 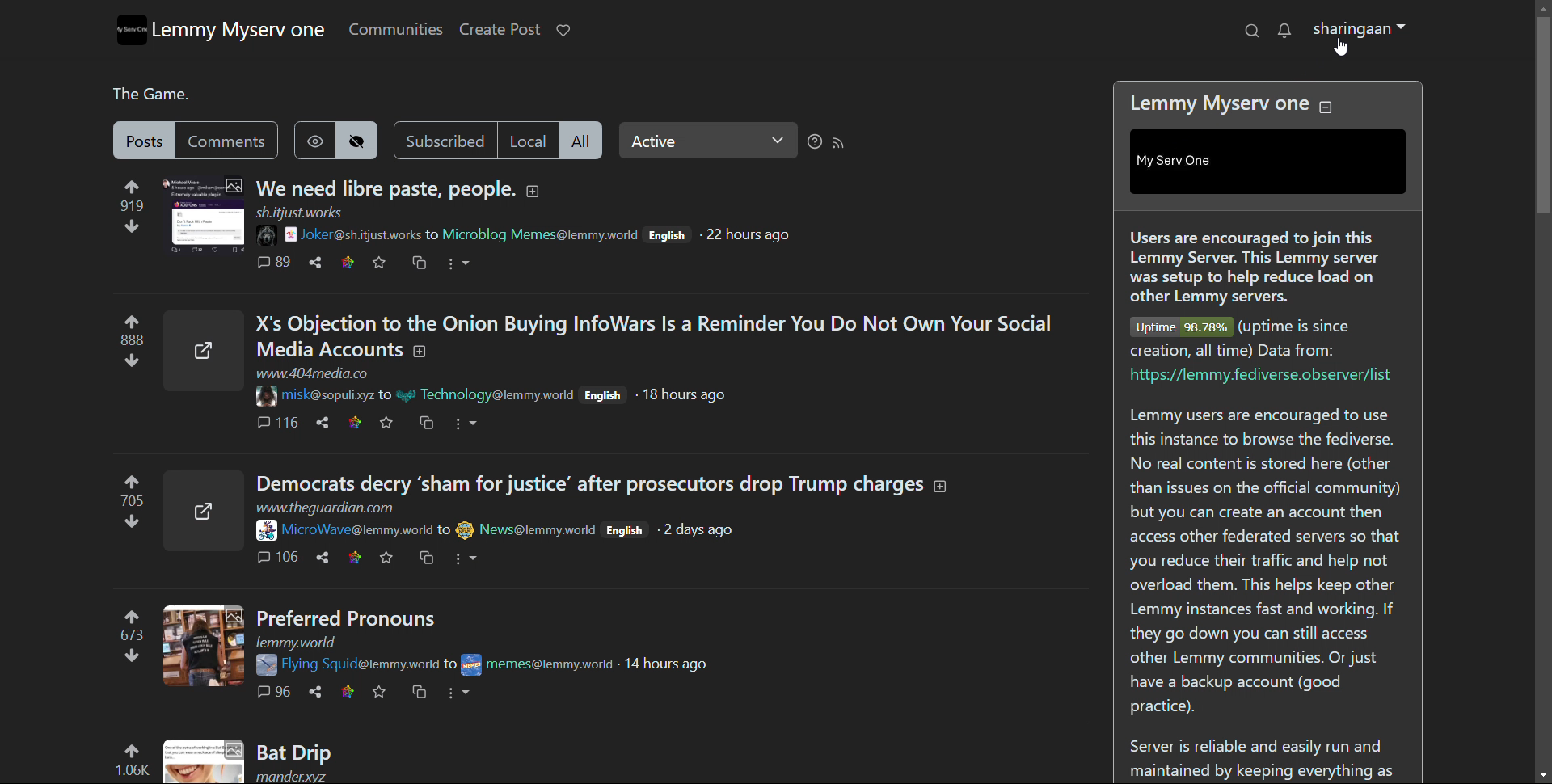 What do you see at coordinates (135, 481) in the screenshot?
I see `upvotes` at bounding box center [135, 481].